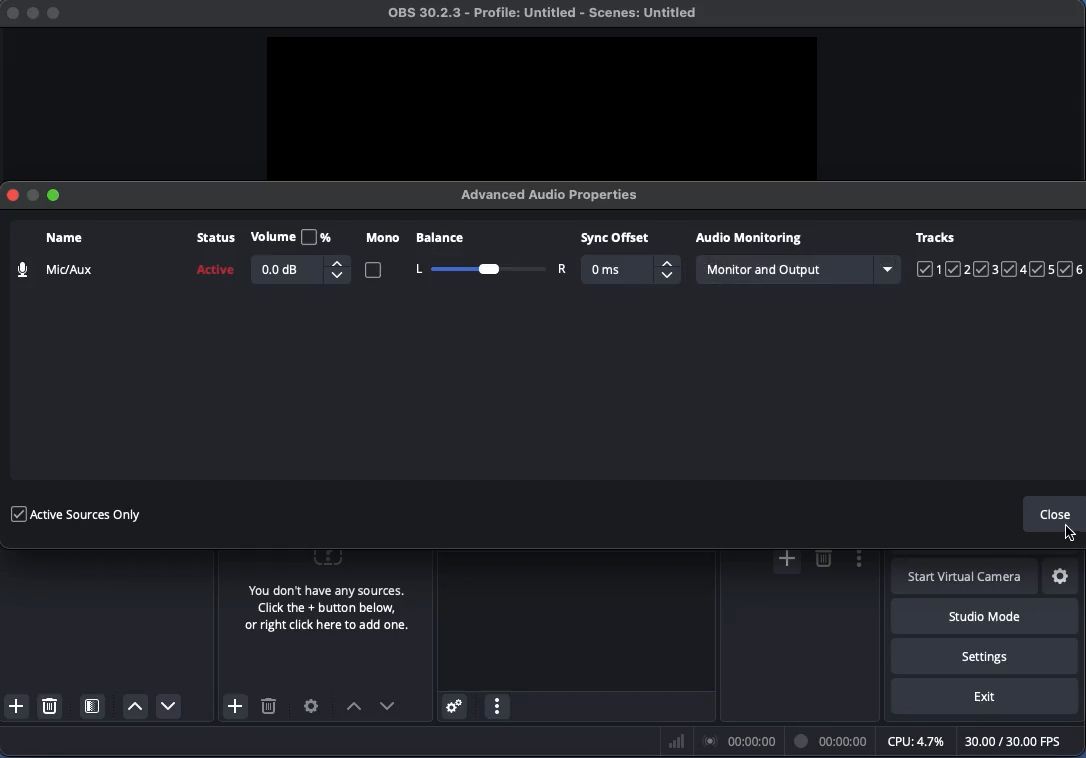  What do you see at coordinates (299, 256) in the screenshot?
I see `Volume ` at bounding box center [299, 256].